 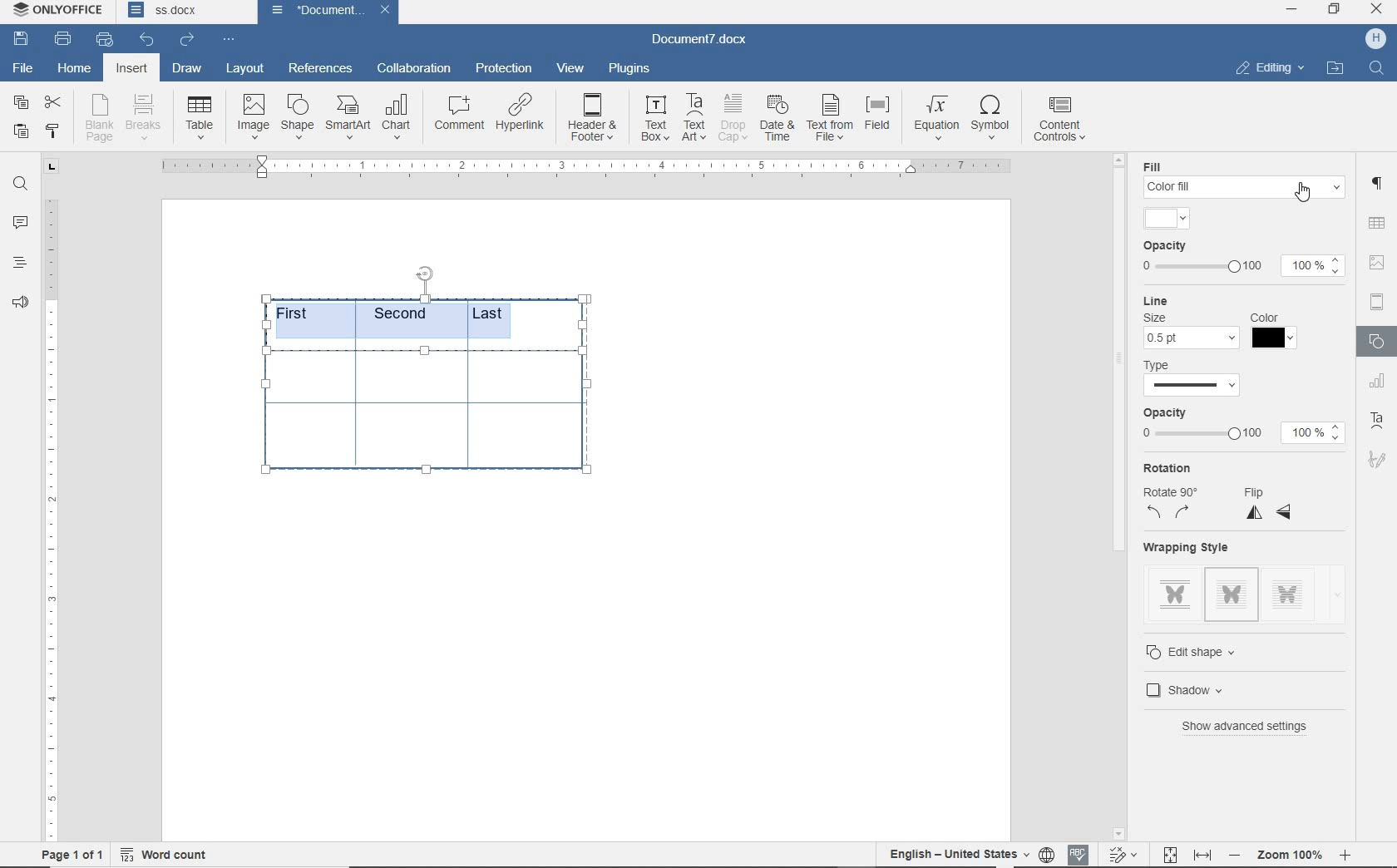 What do you see at coordinates (21, 305) in the screenshot?
I see `feedback & suppory` at bounding box center [21, 305].